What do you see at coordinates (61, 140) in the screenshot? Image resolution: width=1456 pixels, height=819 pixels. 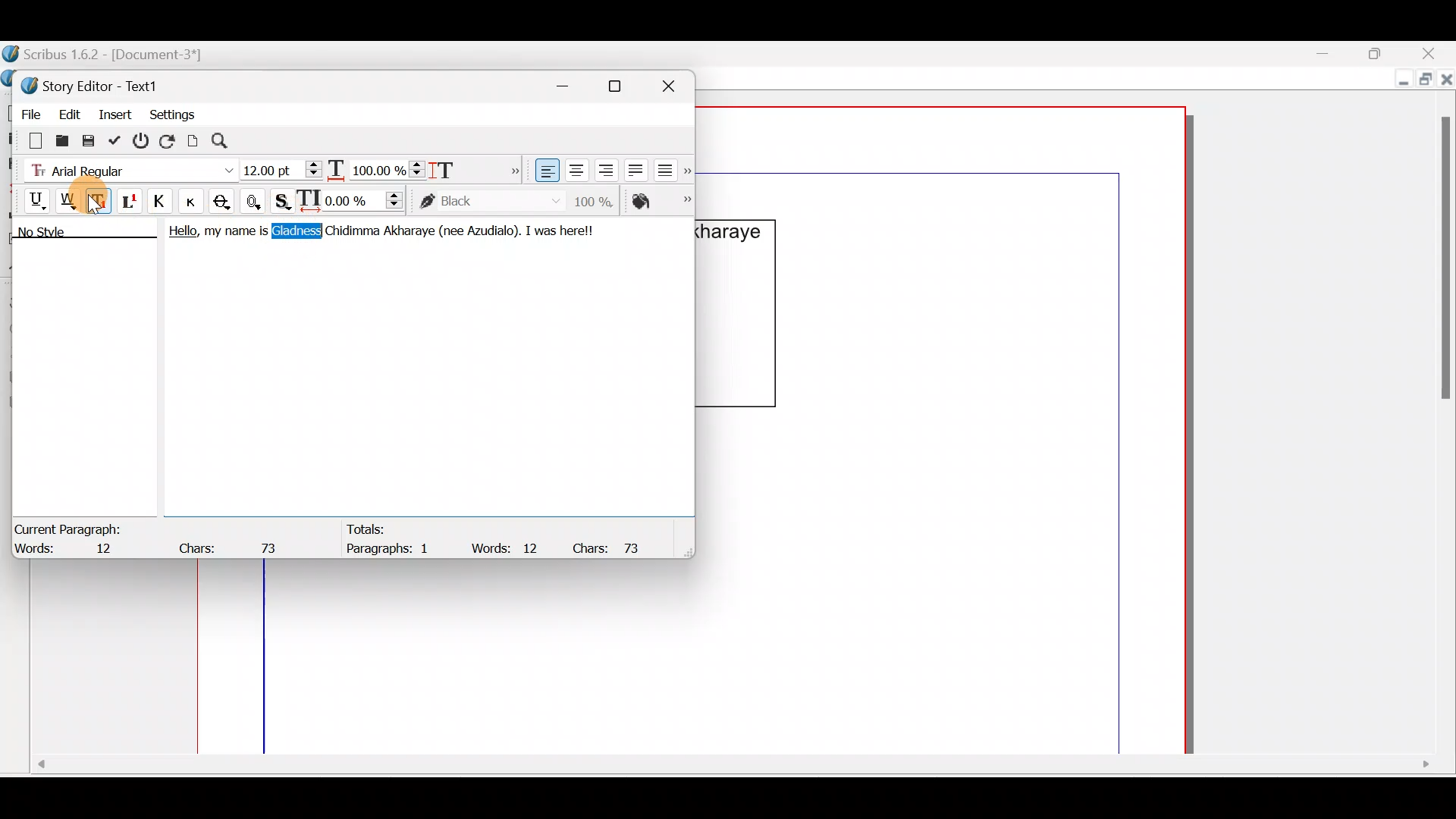 I see `Load from file` at bounding box center [61, 140].